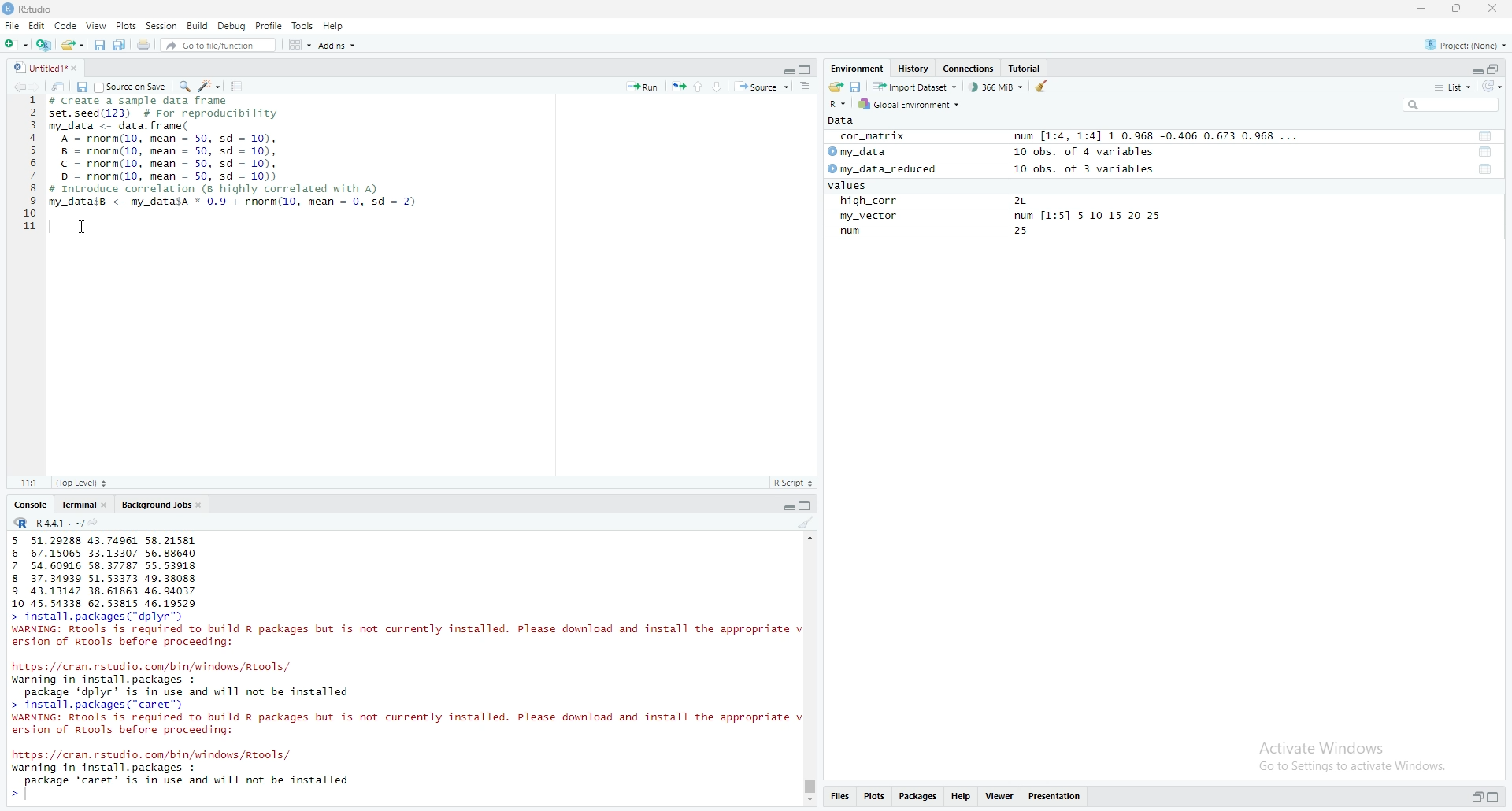 Image resolution: width=1512 pixels, height=811 pixels. What do you see at coordinates (73, 45) in the screenshot?
I see `share folder ` at bounding box center [73, 45].